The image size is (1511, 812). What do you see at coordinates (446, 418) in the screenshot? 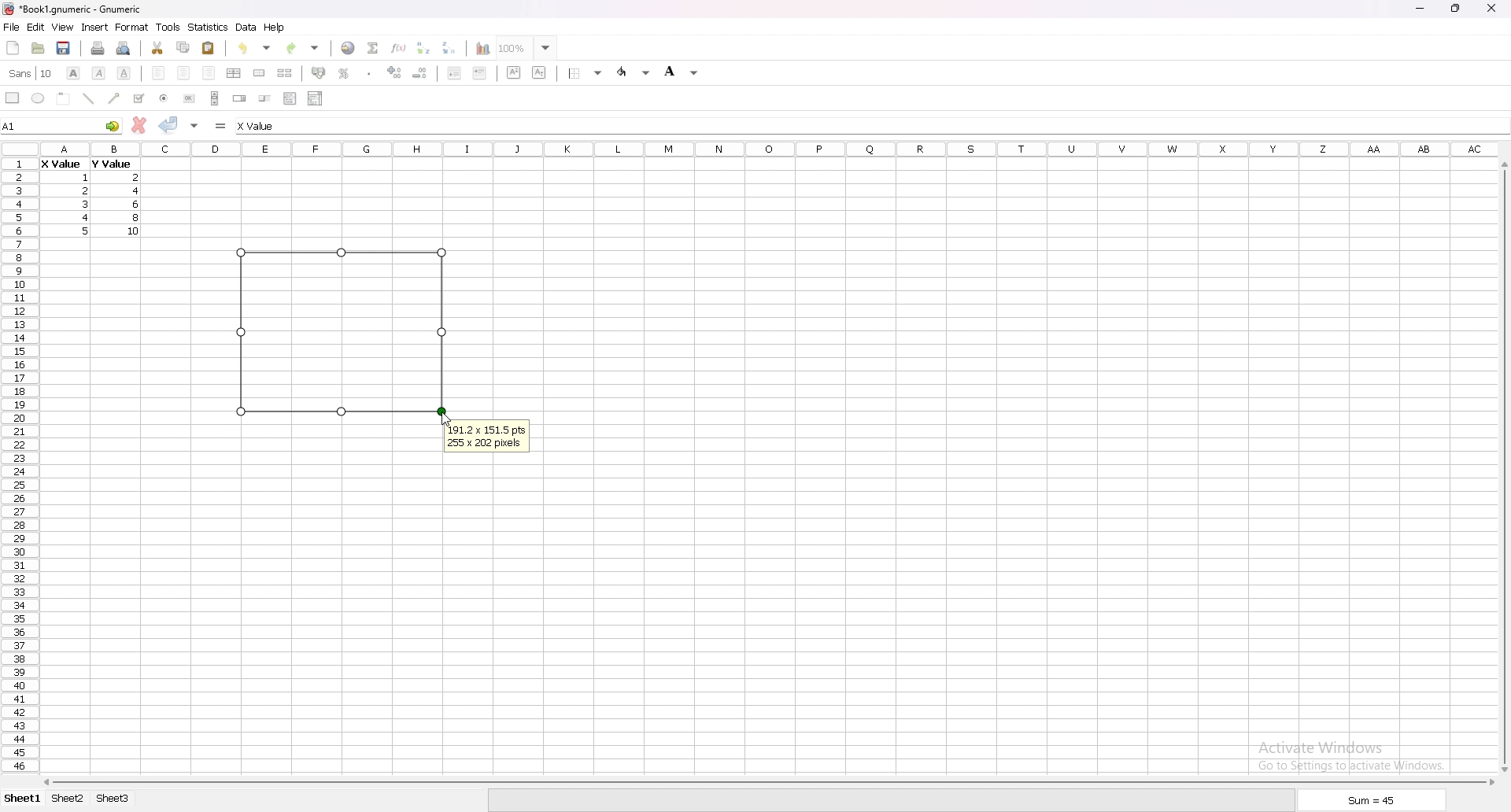
I see `cursor` at bounding box center [446, 418].